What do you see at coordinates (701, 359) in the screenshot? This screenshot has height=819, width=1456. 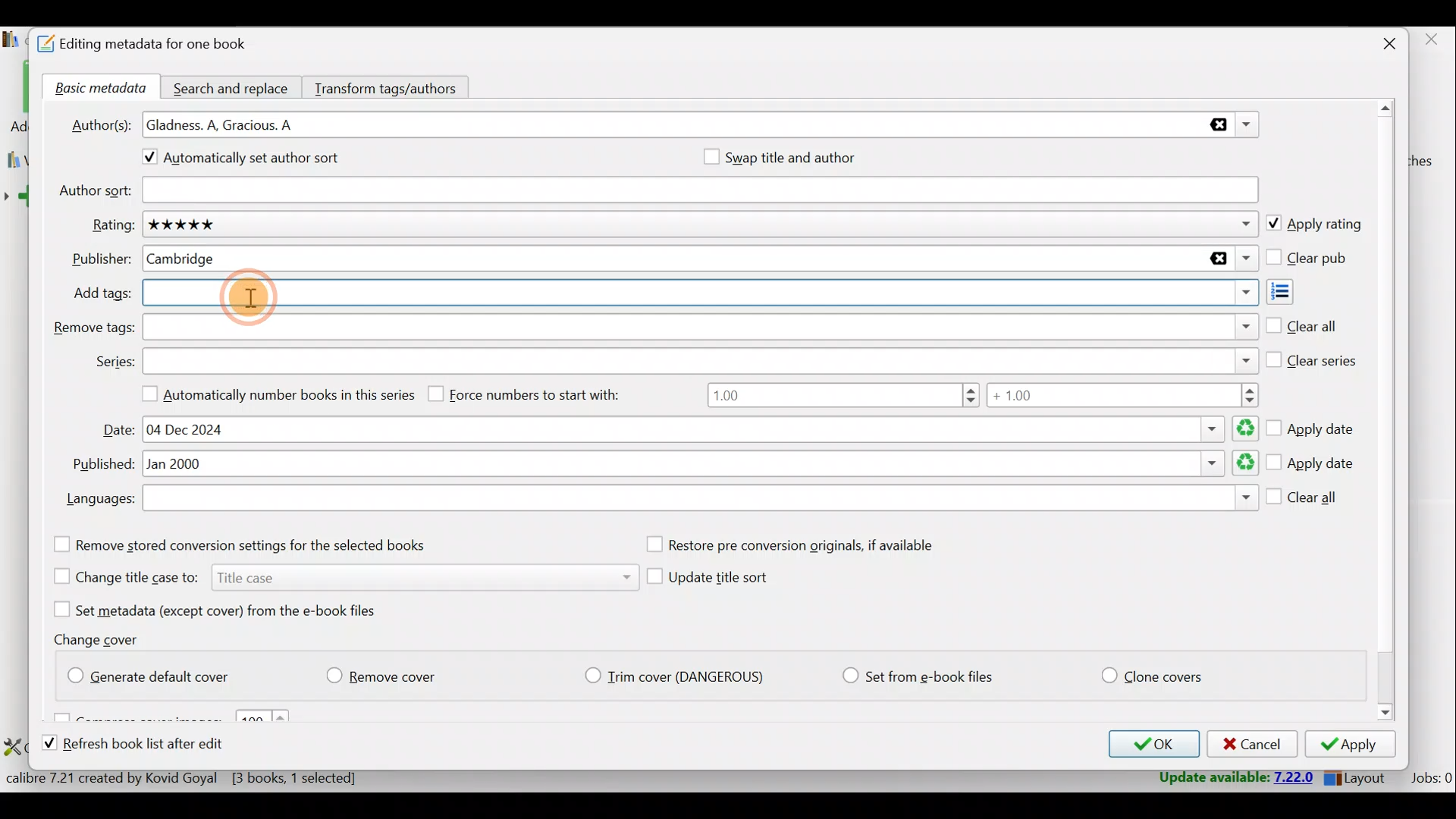 I see `Series` at bounding box center [701, 359].